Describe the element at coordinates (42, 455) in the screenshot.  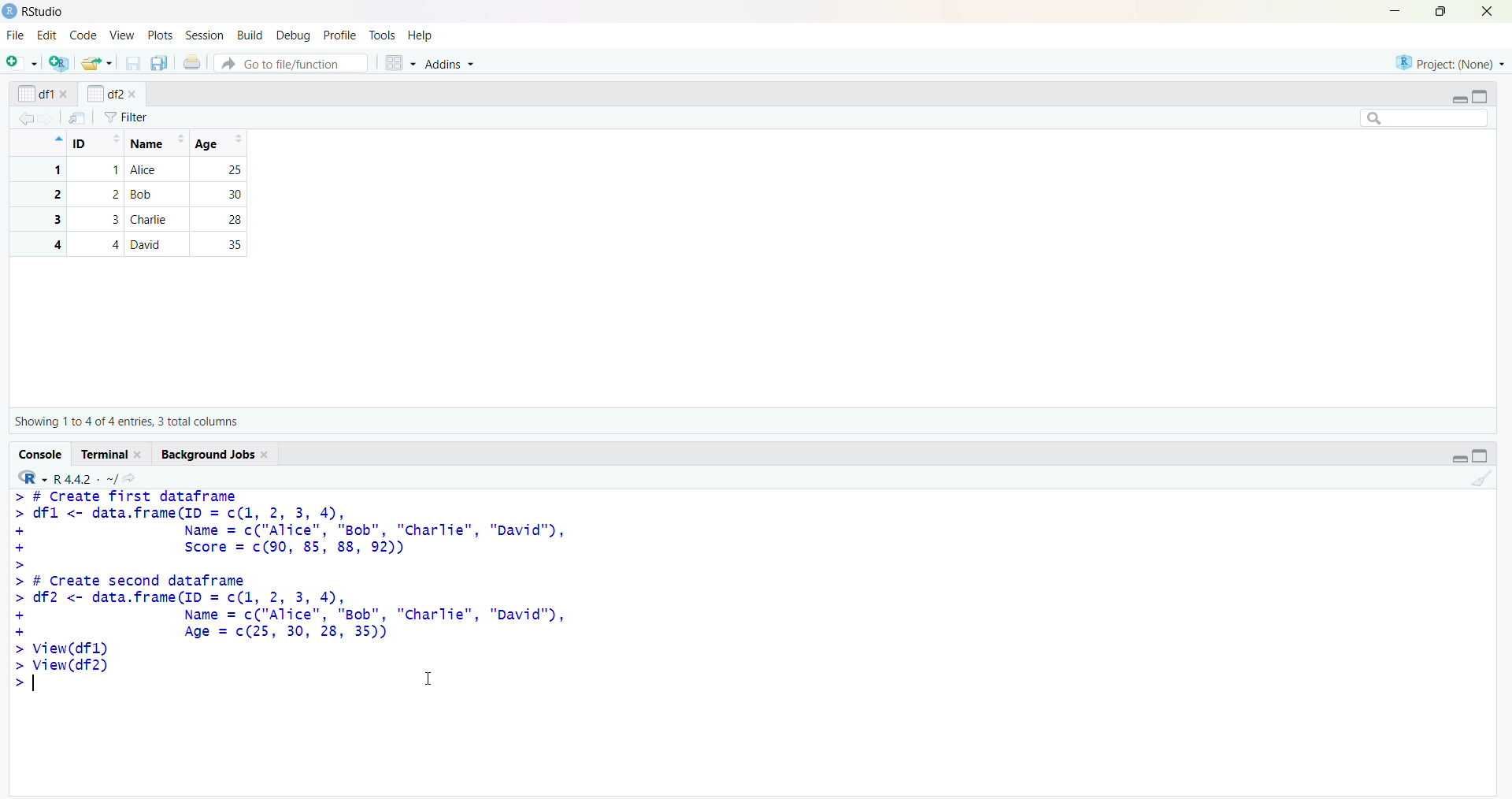
I see `Console` at that location.